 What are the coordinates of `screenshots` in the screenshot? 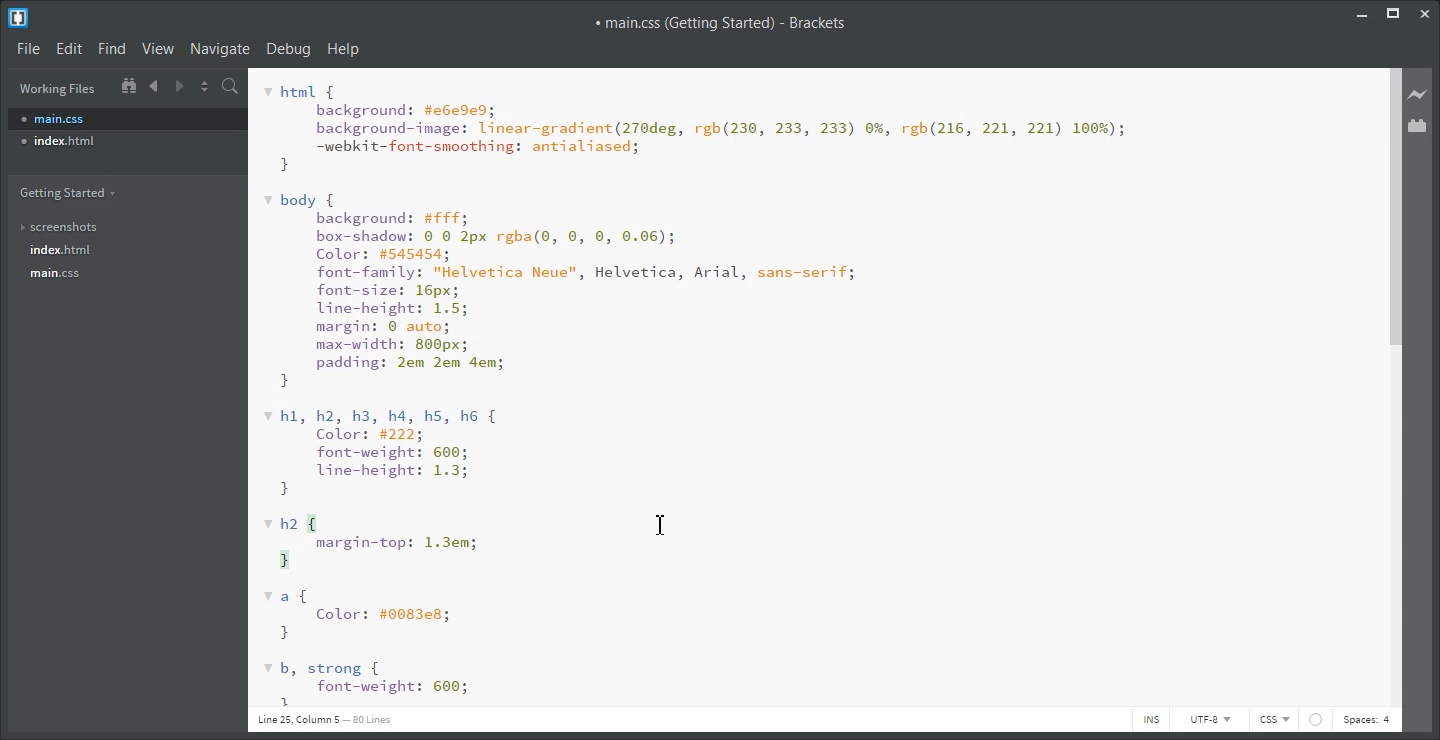 It's located at (67, 228).